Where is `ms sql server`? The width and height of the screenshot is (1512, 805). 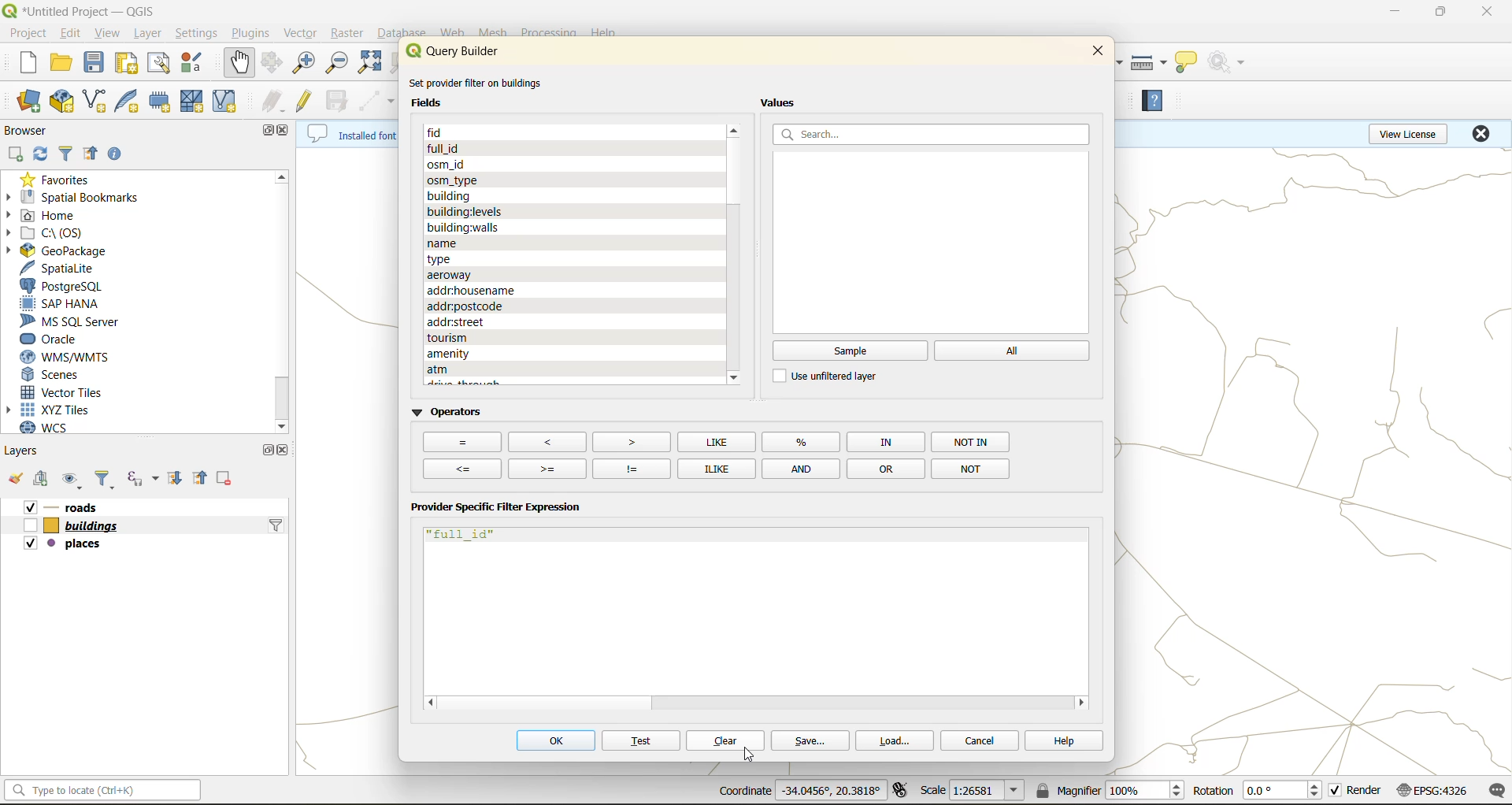 ms sql server is located at coordinates (74, 320).